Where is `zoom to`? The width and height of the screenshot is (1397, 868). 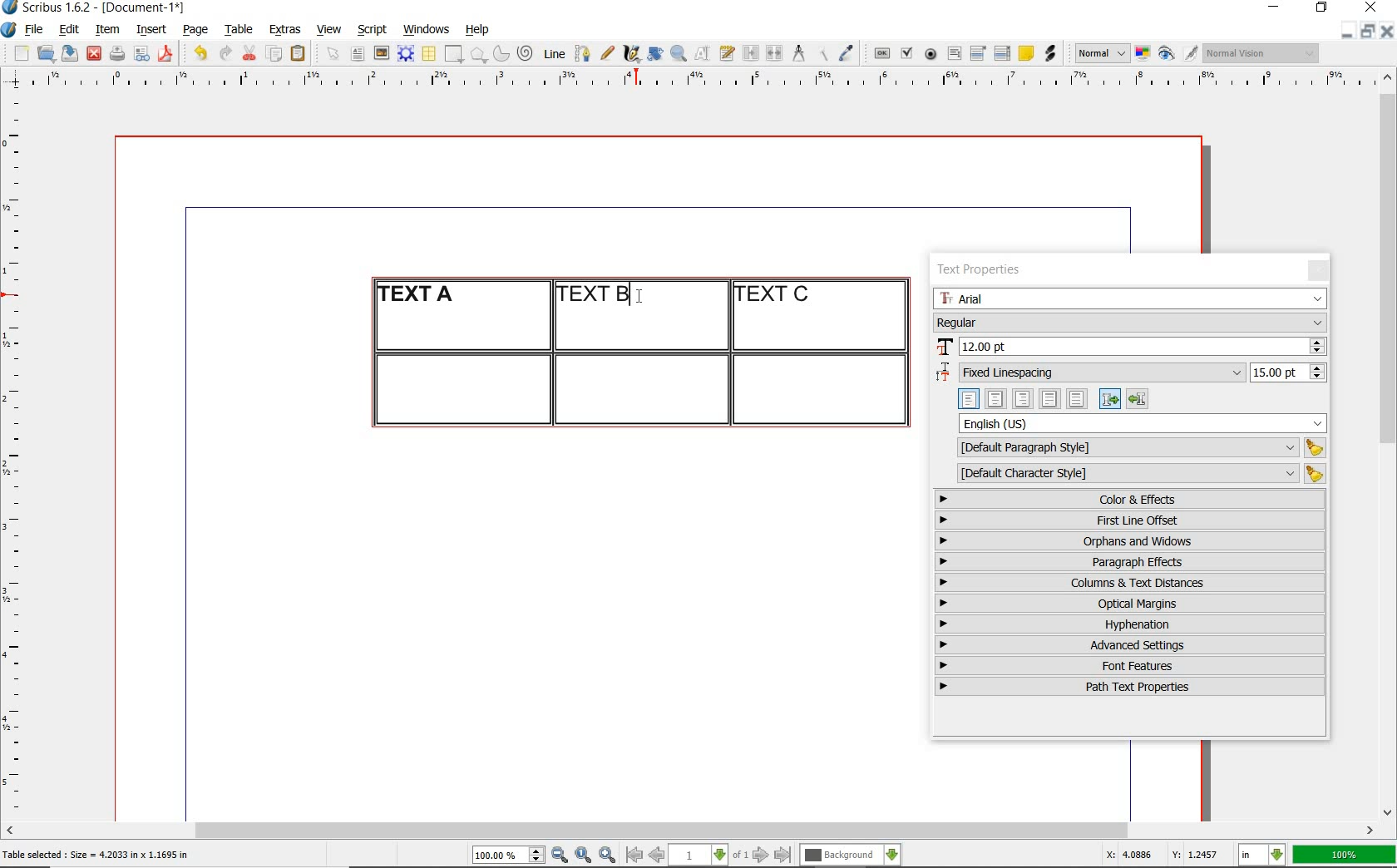 zoom to is located at coordinates (584, 856).